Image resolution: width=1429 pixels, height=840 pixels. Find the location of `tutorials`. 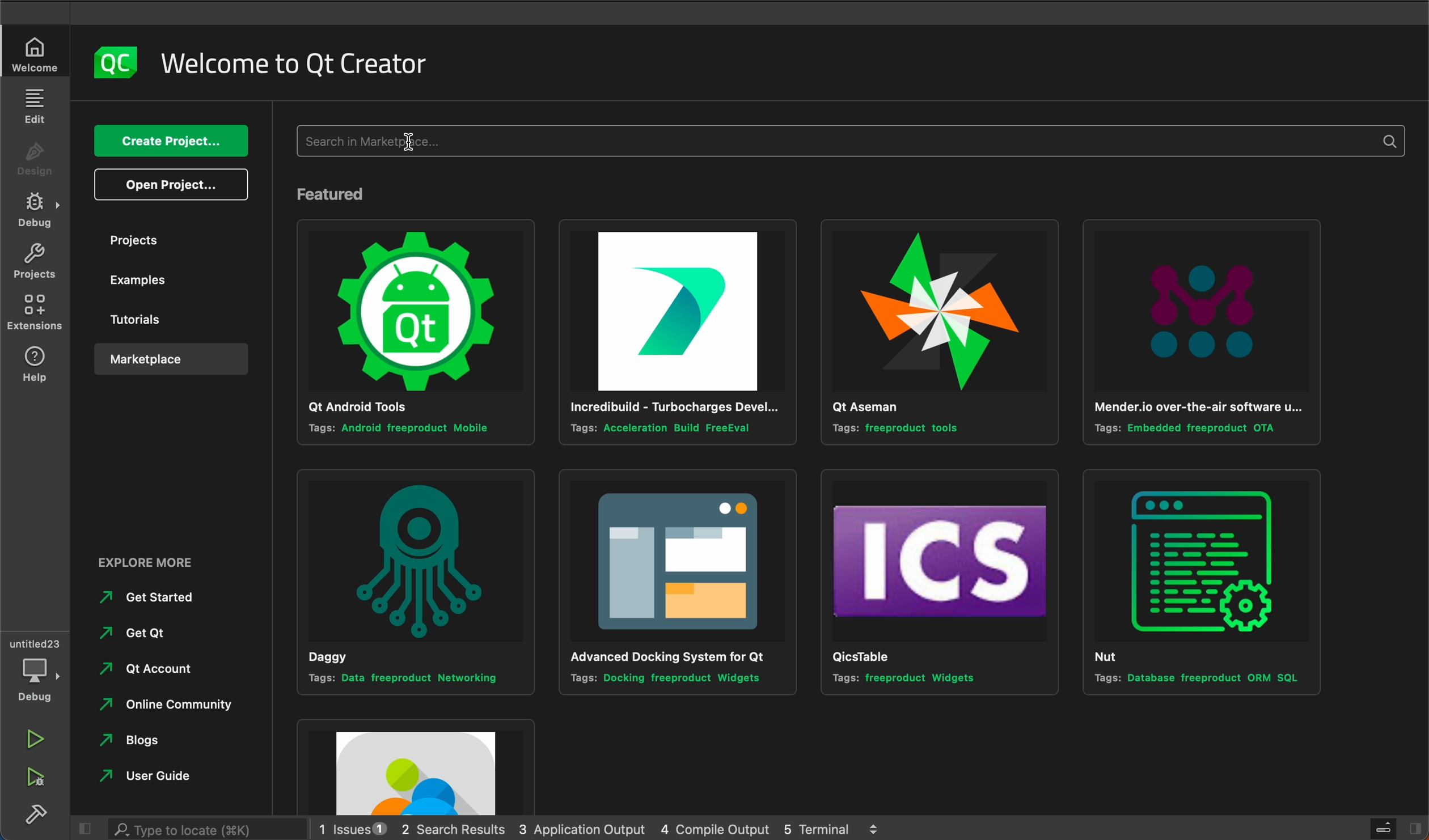

tutorials is located at coordinates (166, 320).